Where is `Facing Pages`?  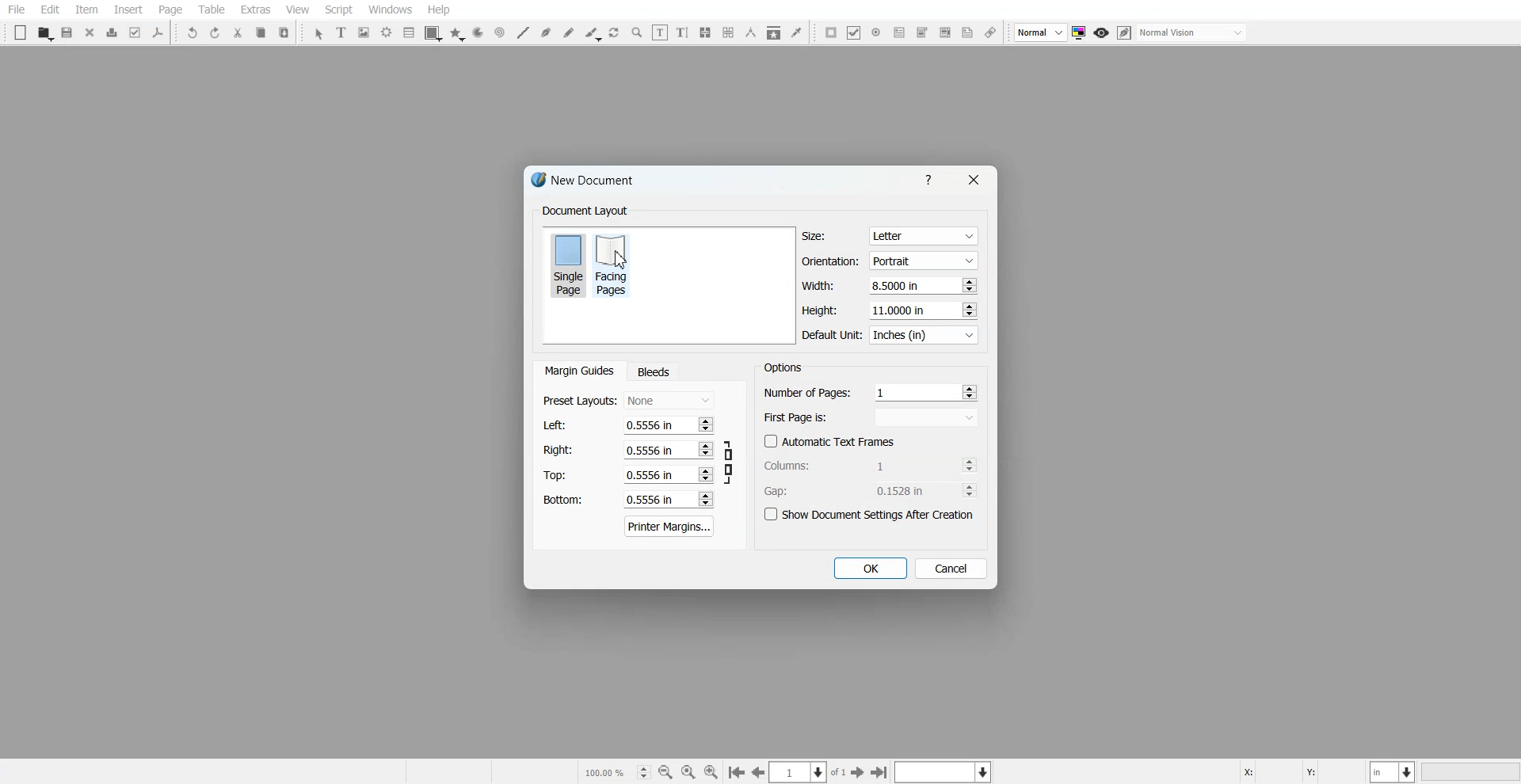
Facing Pages is located at coordinates (614, 265).